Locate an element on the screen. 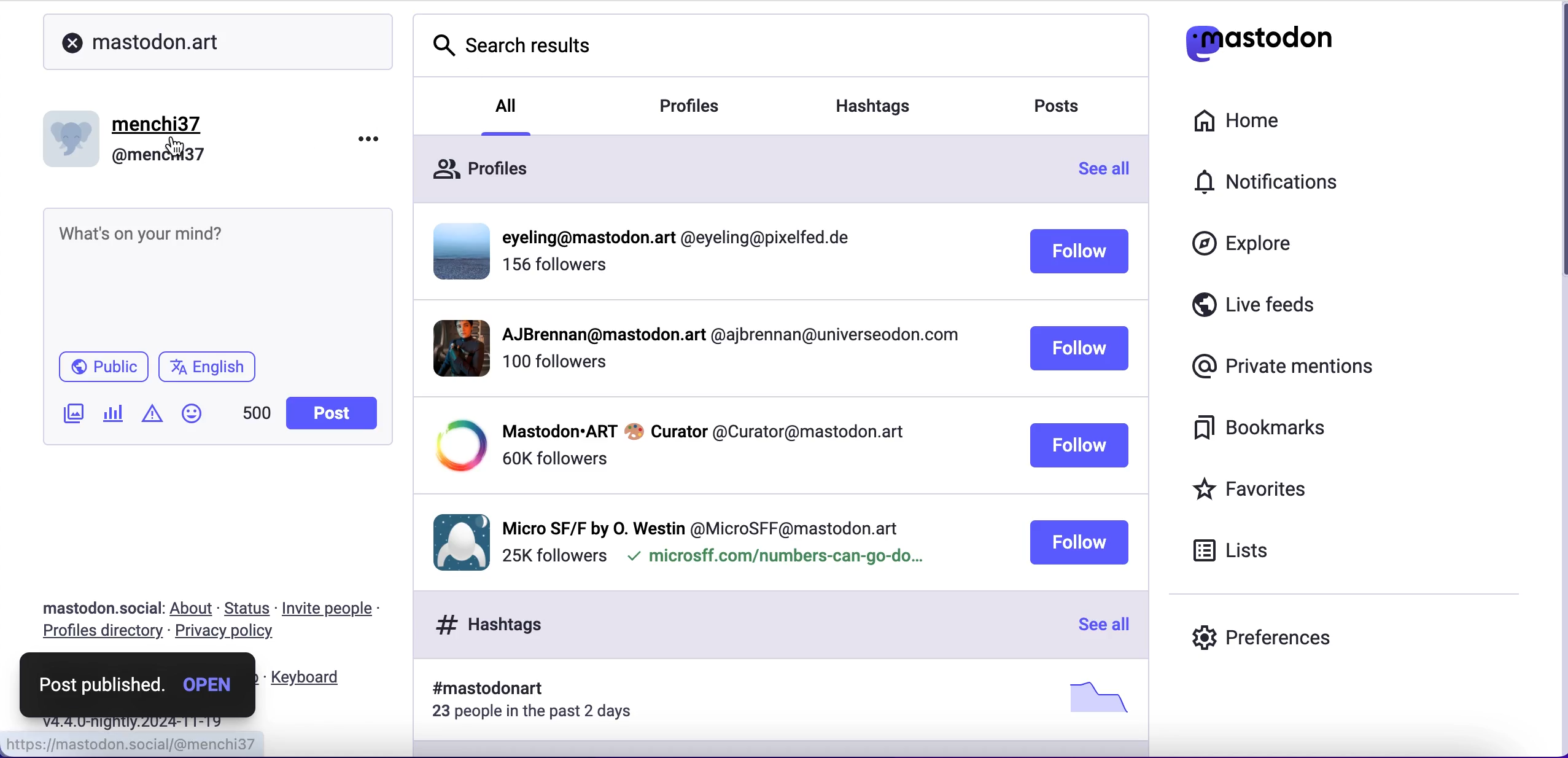  followers is located at coordinates (726, 558).